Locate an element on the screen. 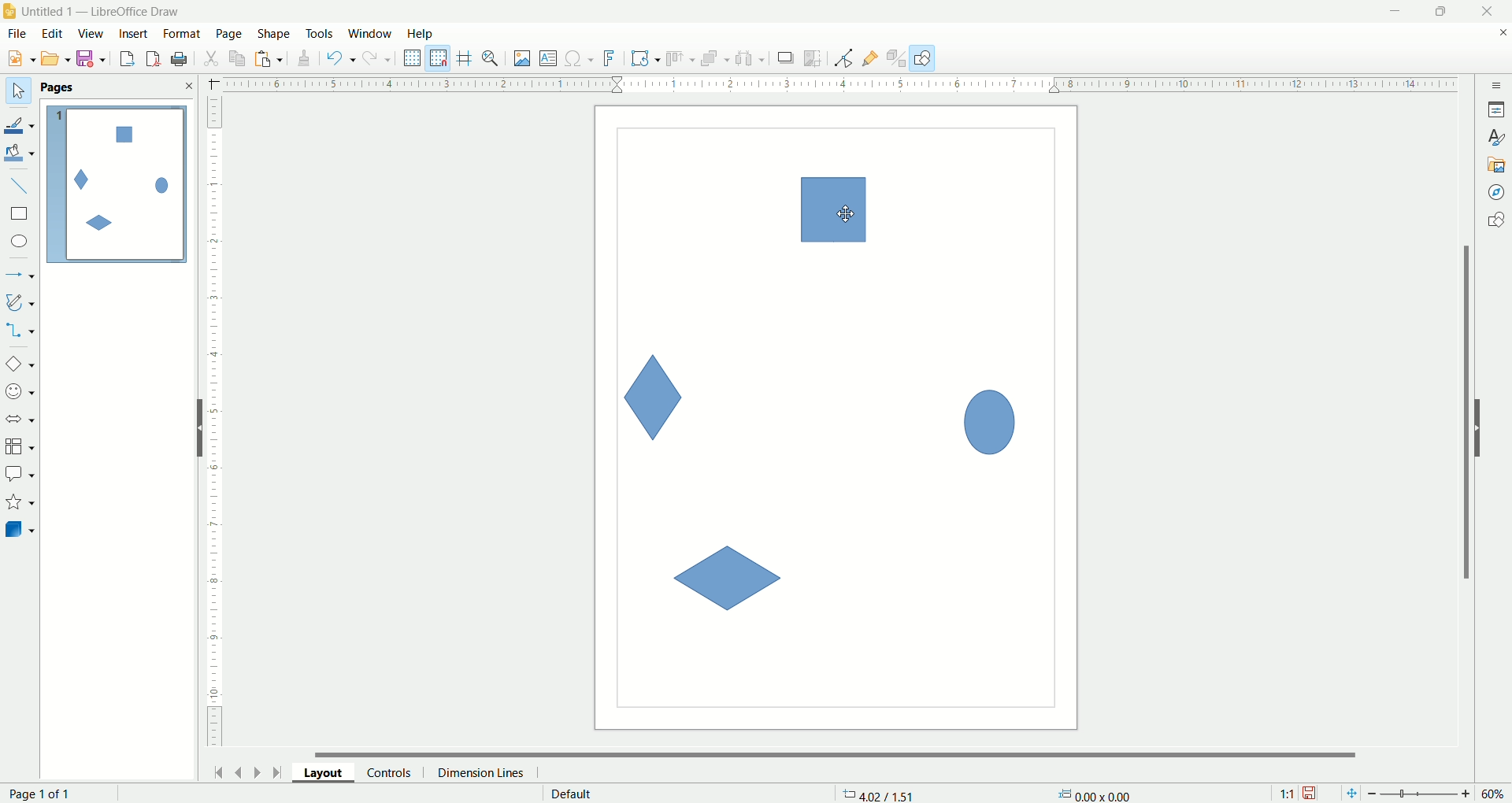 This screenshot has height=803, width=1512. zoom factor is located at coordinates (1421, 794).